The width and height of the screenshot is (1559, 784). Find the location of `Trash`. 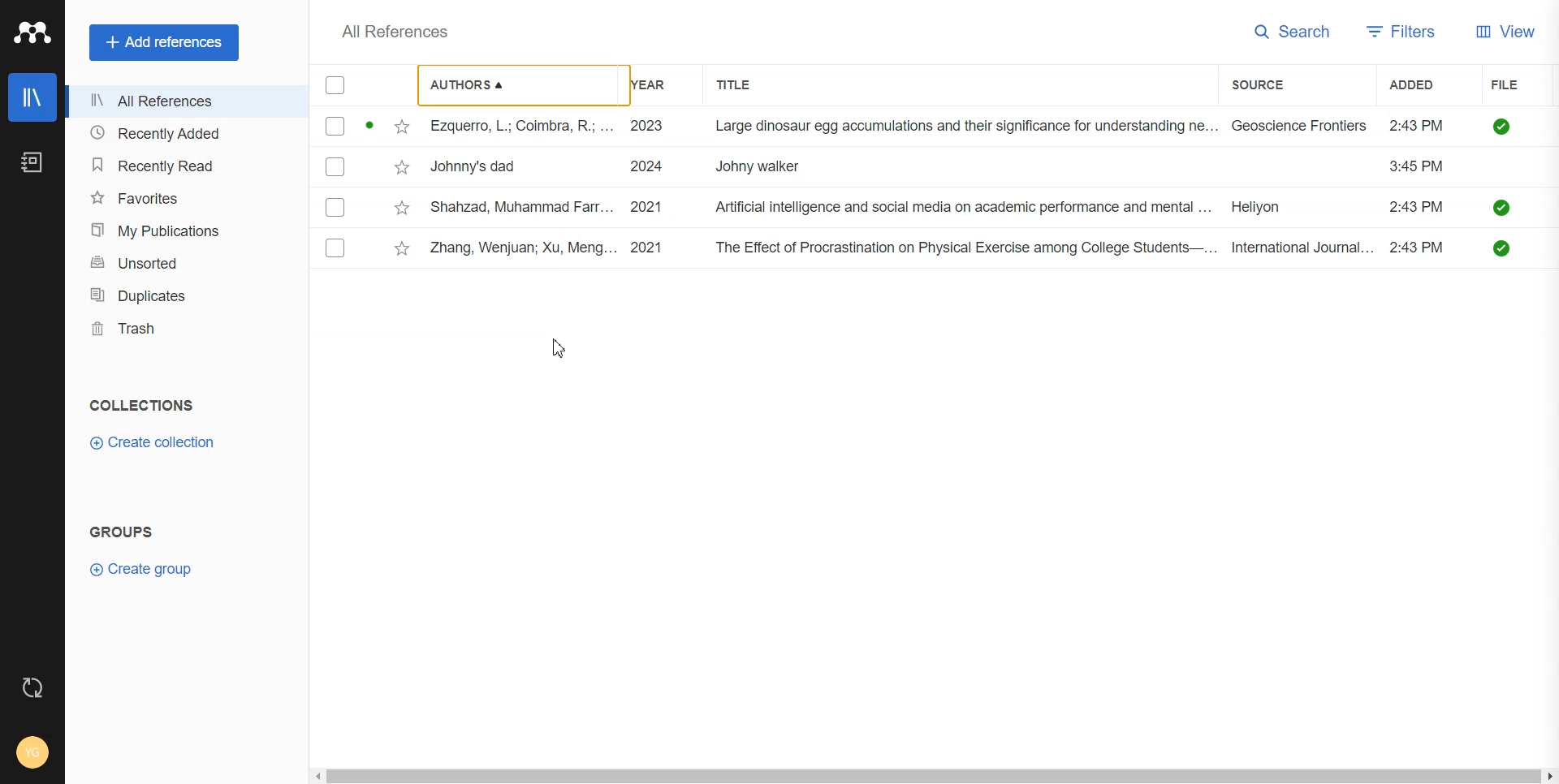

Trash is located at coordinates (180, 328).